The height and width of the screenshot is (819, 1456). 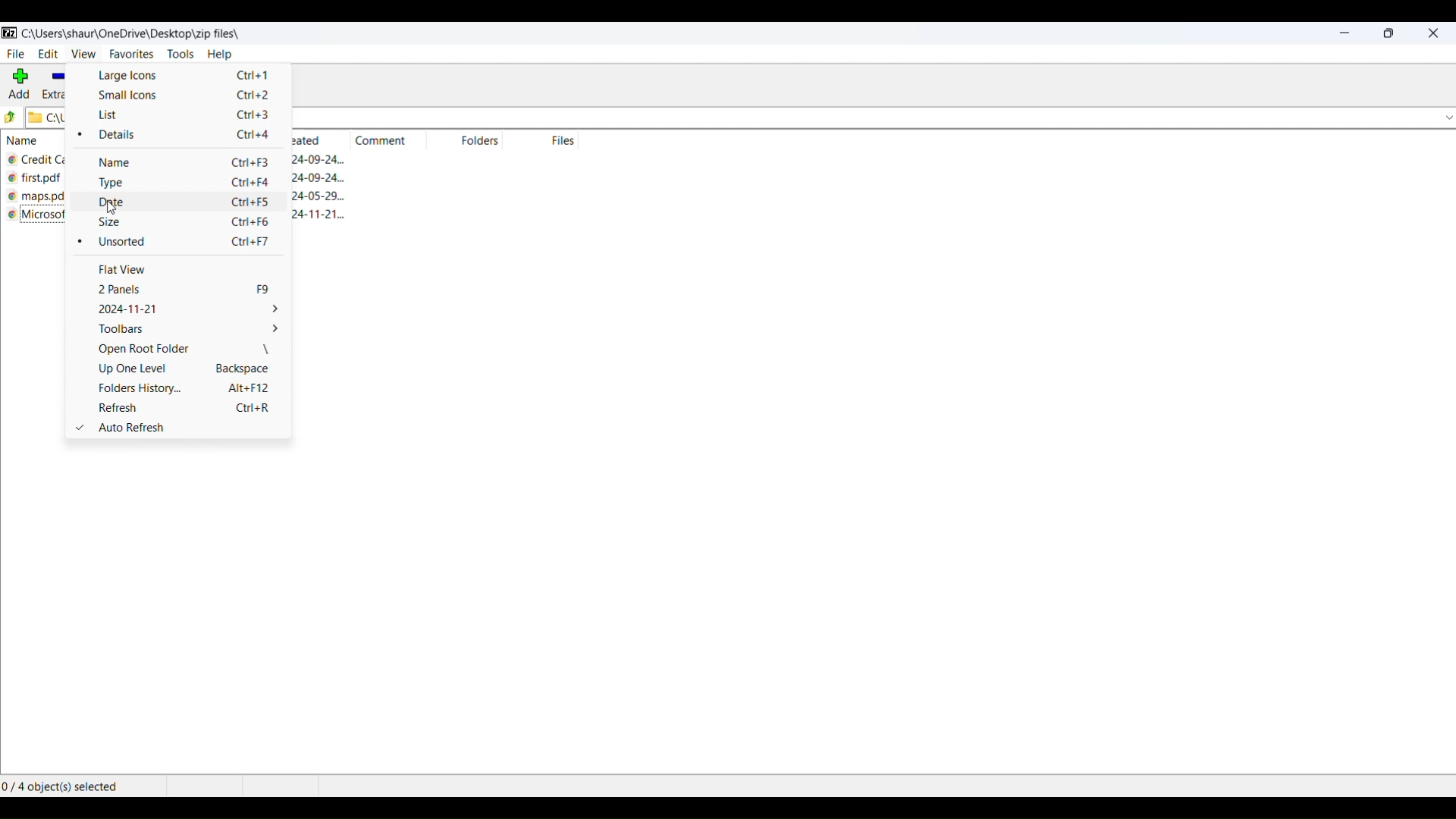 What do you see at coordinates (184, 77) in the screenshot?
I see `large icons` at bounding box center [184, 77].